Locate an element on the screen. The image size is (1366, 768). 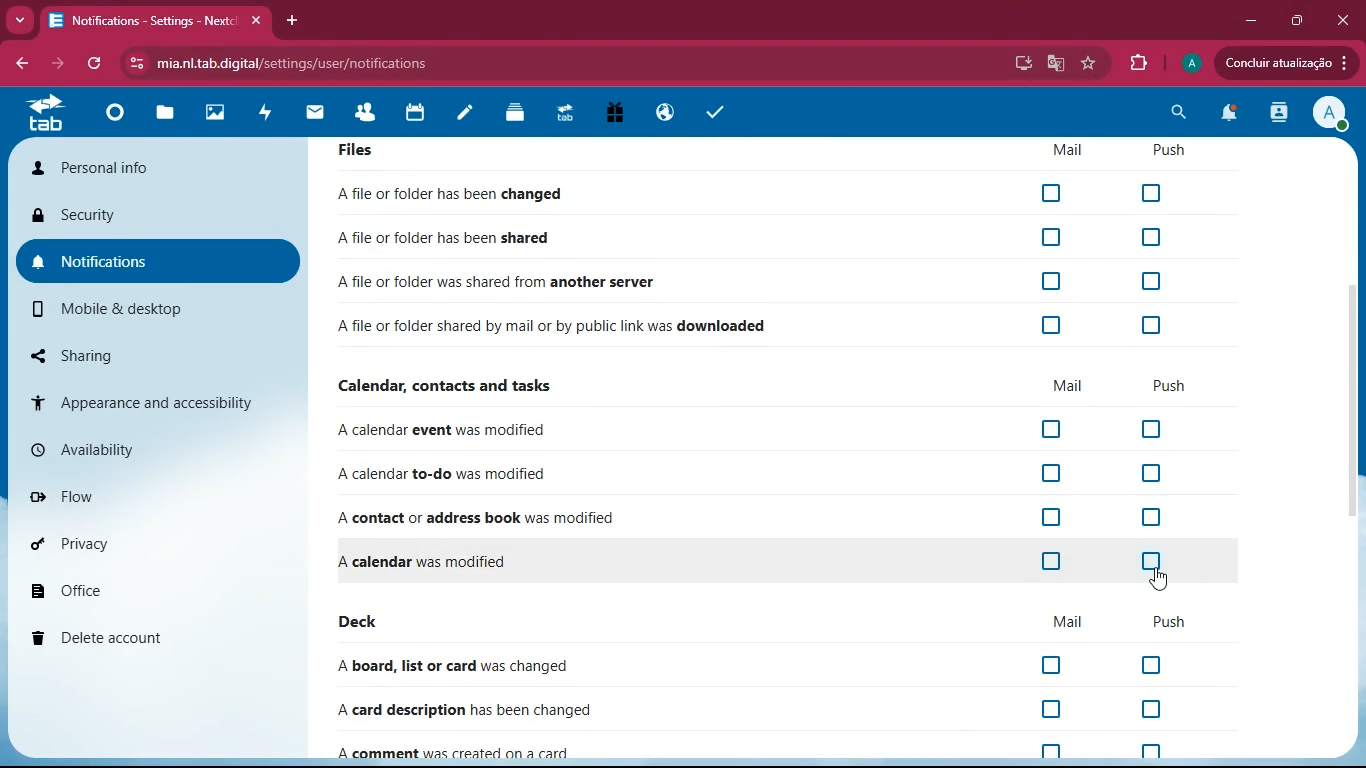
off is located at coordinates (1047, 473).